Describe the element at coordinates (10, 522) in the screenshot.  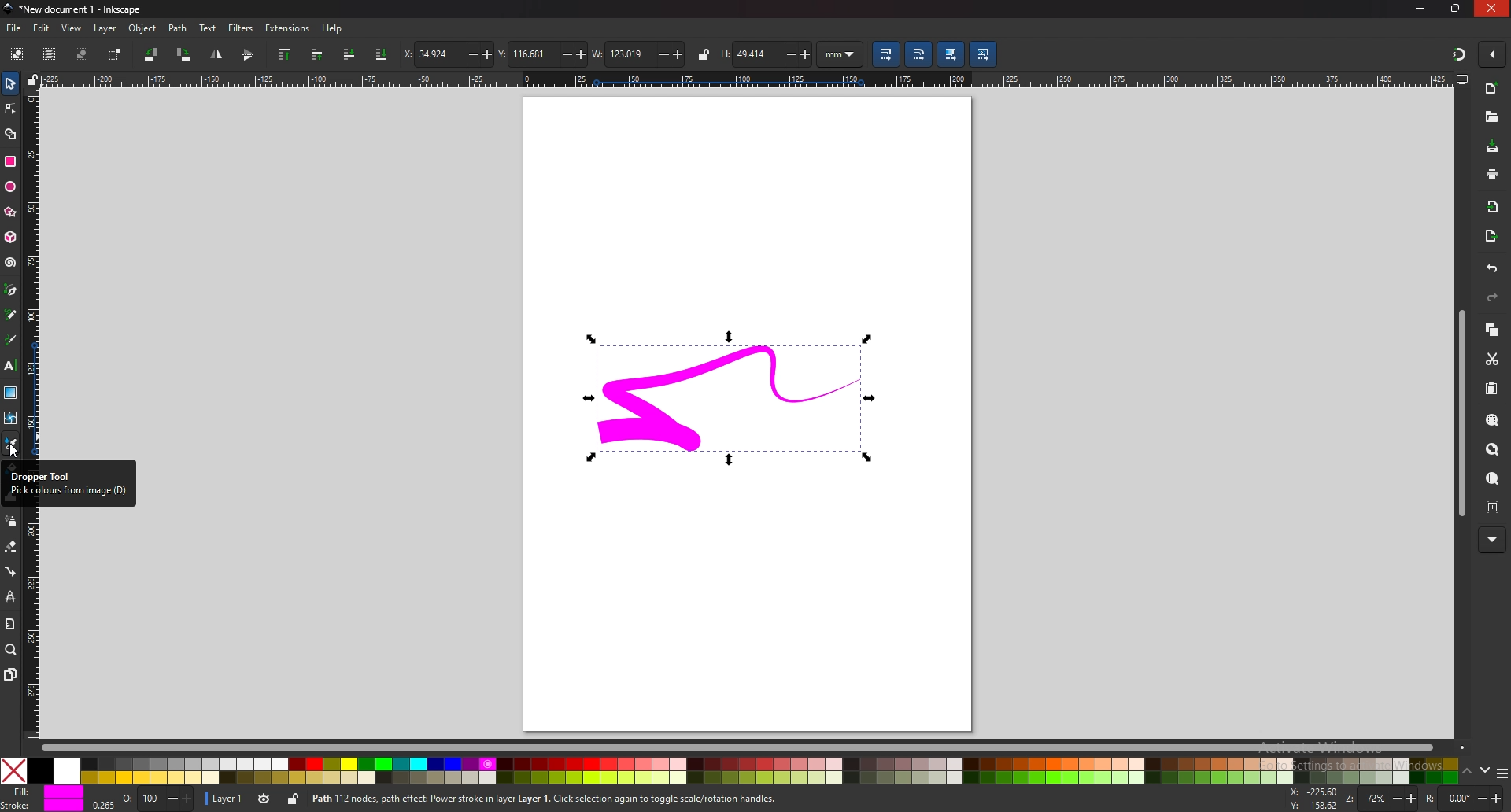
I see `spray` at that location.